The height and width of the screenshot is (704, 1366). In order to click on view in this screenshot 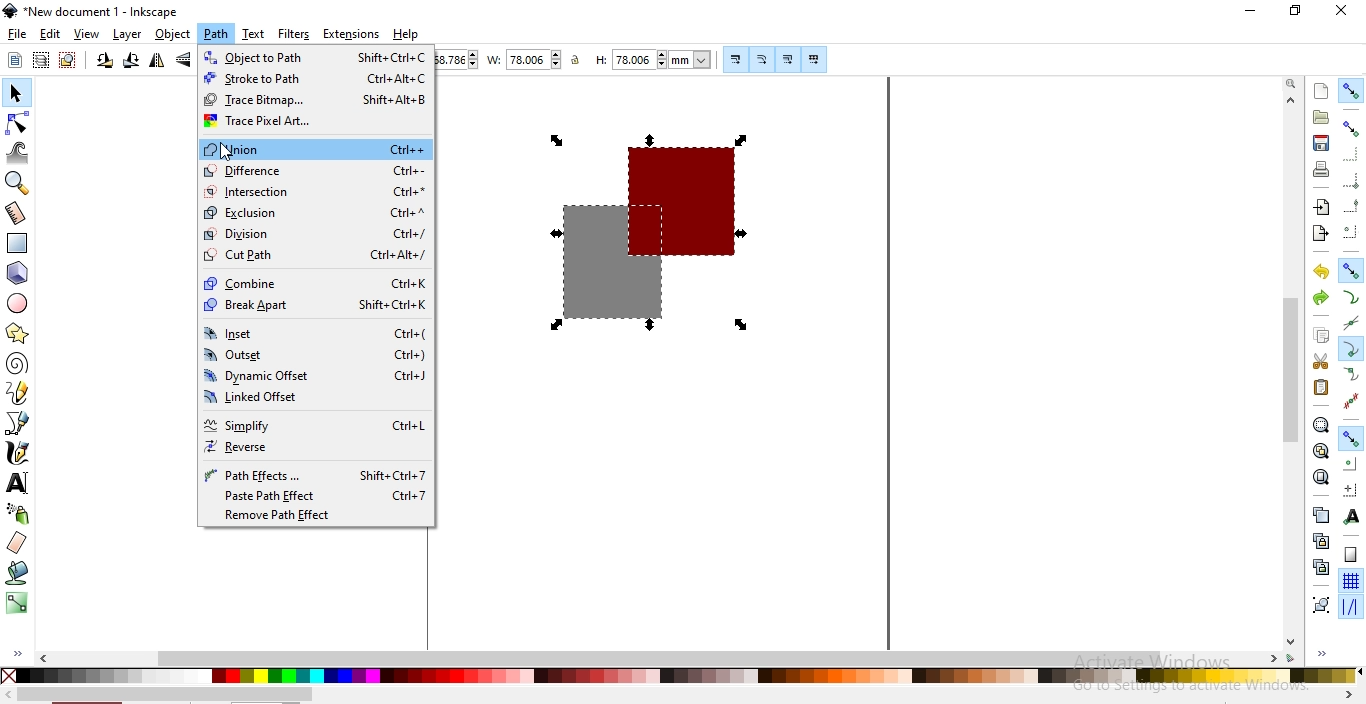, I will do `click(87, 35)`.